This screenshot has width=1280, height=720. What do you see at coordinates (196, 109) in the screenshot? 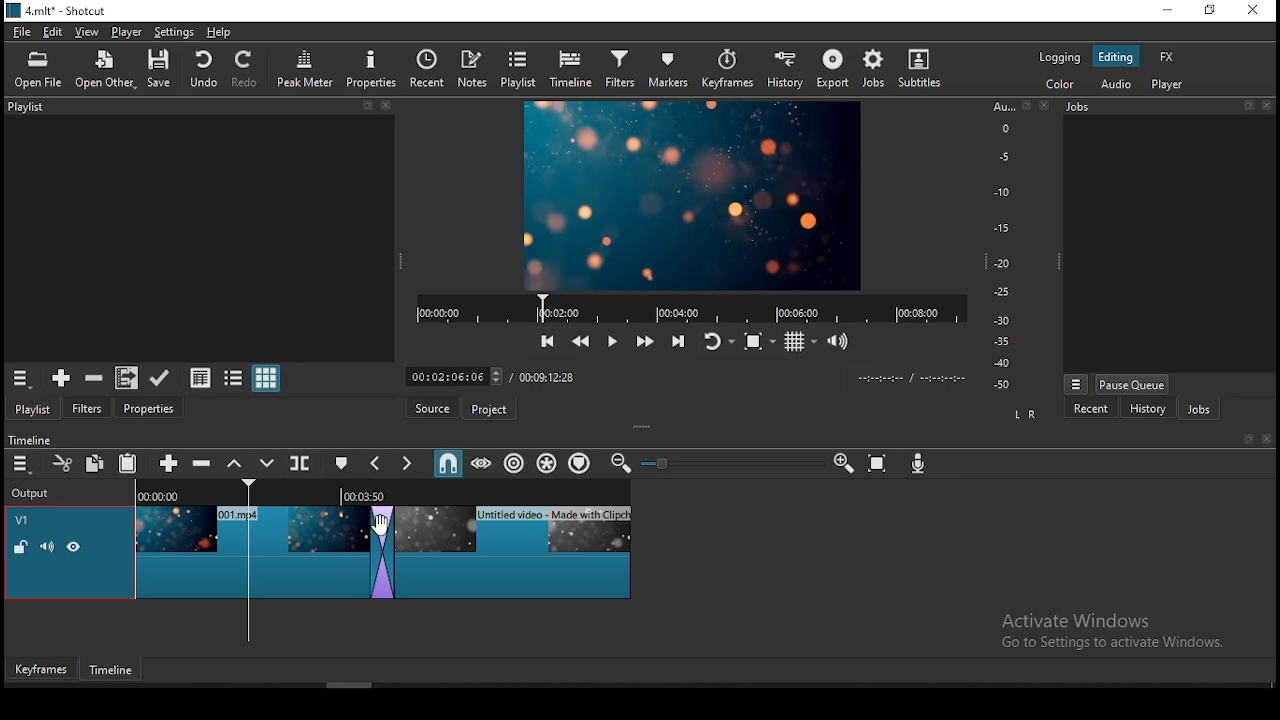
I see `playlist` at bounding box center [196, 109].